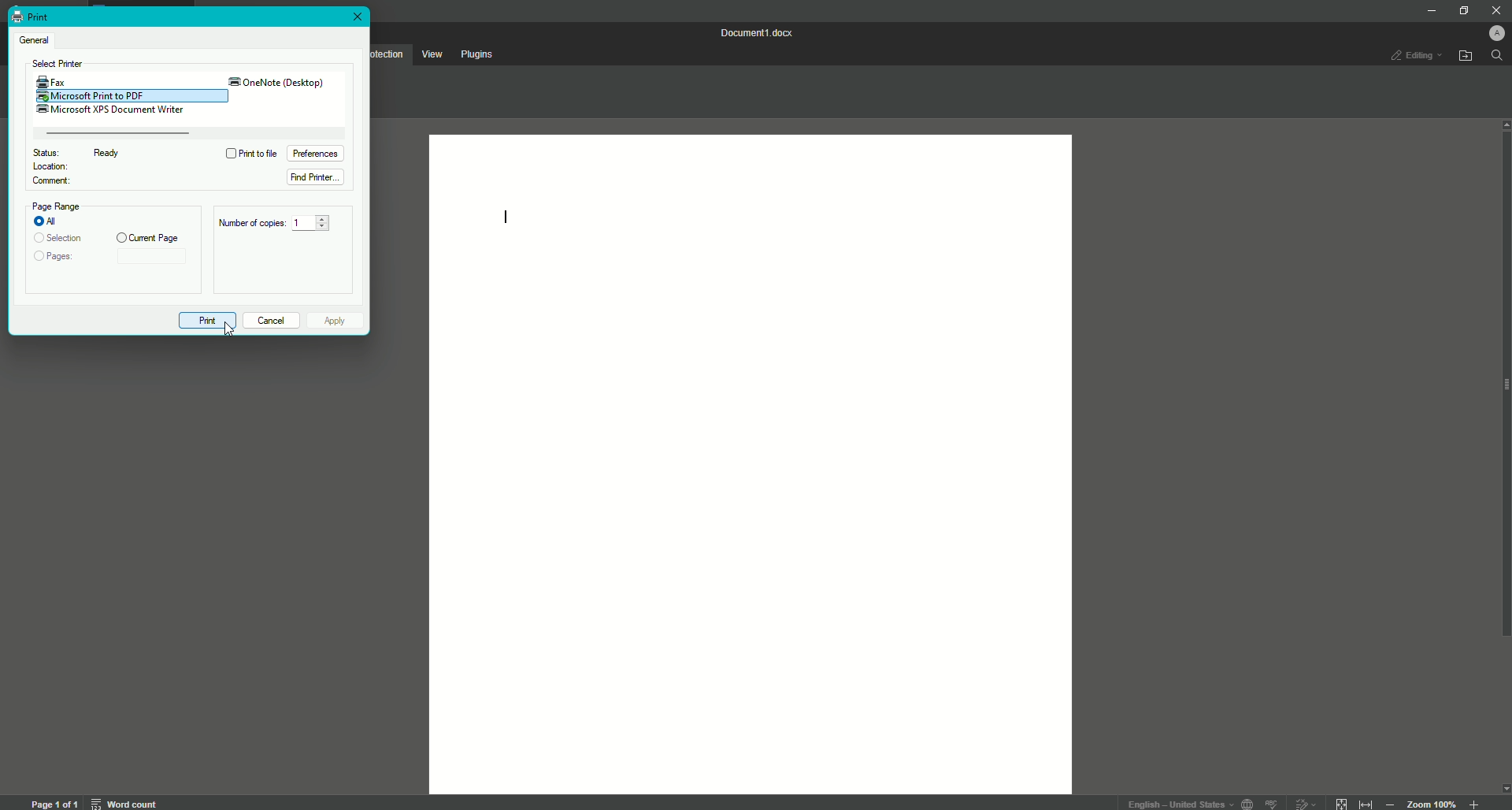 This screenshot has width=1512, height=810. Describe the element at coordinates (250, 225) in the screenshot. I see `Number of Copies : ` at that location.